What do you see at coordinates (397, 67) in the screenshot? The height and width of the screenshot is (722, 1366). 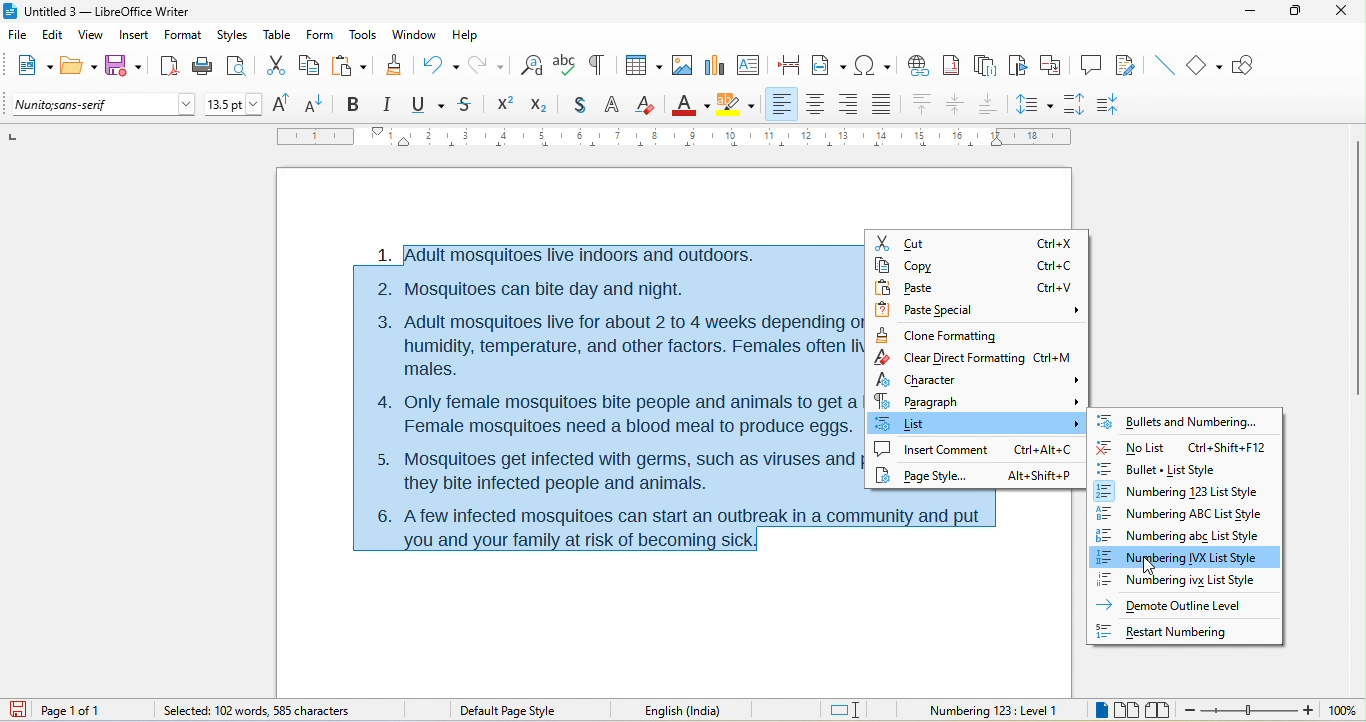 I see `clone formatting` at bounding box center [397, 67].